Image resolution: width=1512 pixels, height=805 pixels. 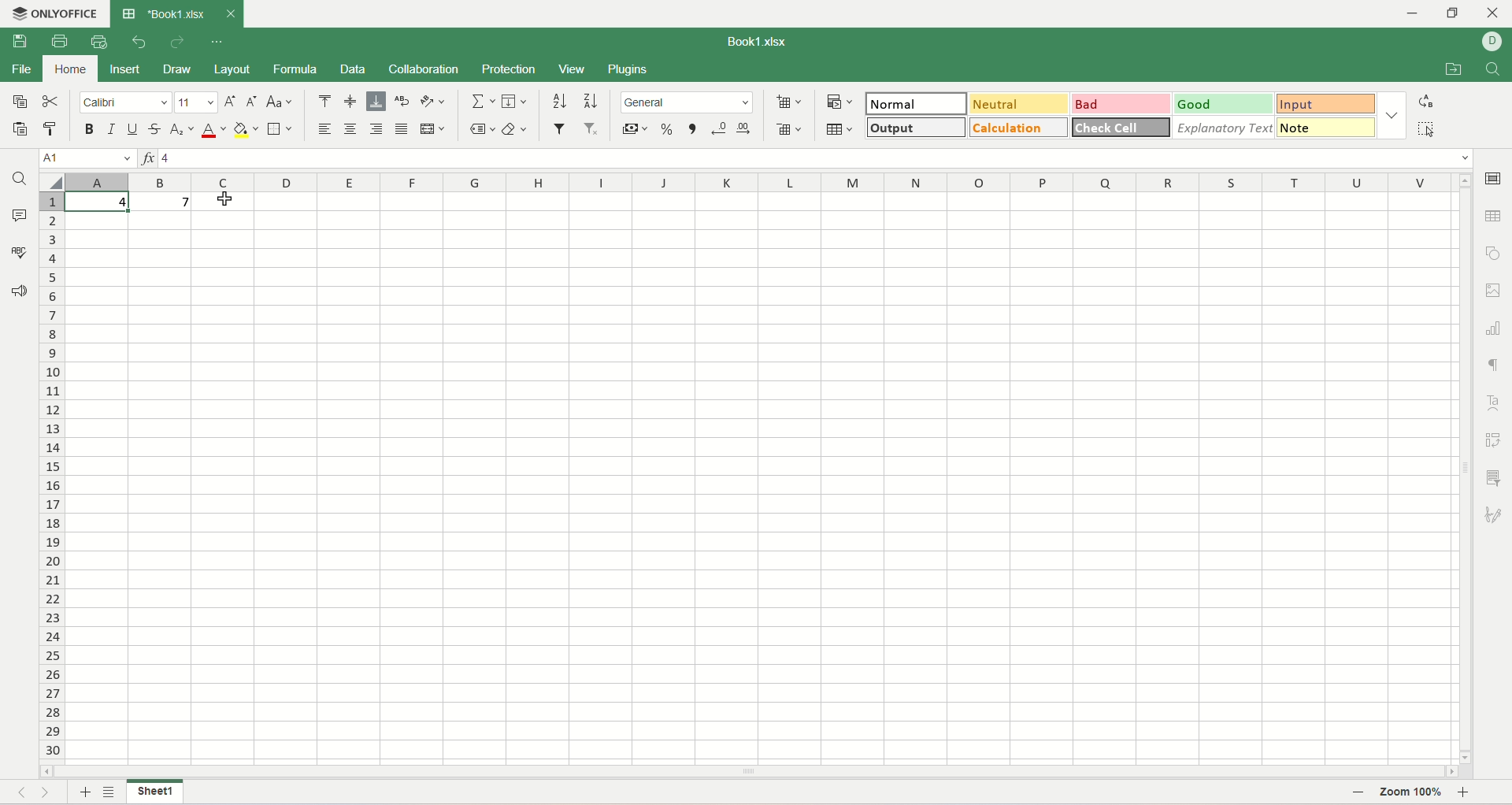 What do you see at coordinates (1121, 103) in the screenshot?
I see `bad` at bounding box center [1121, 103].